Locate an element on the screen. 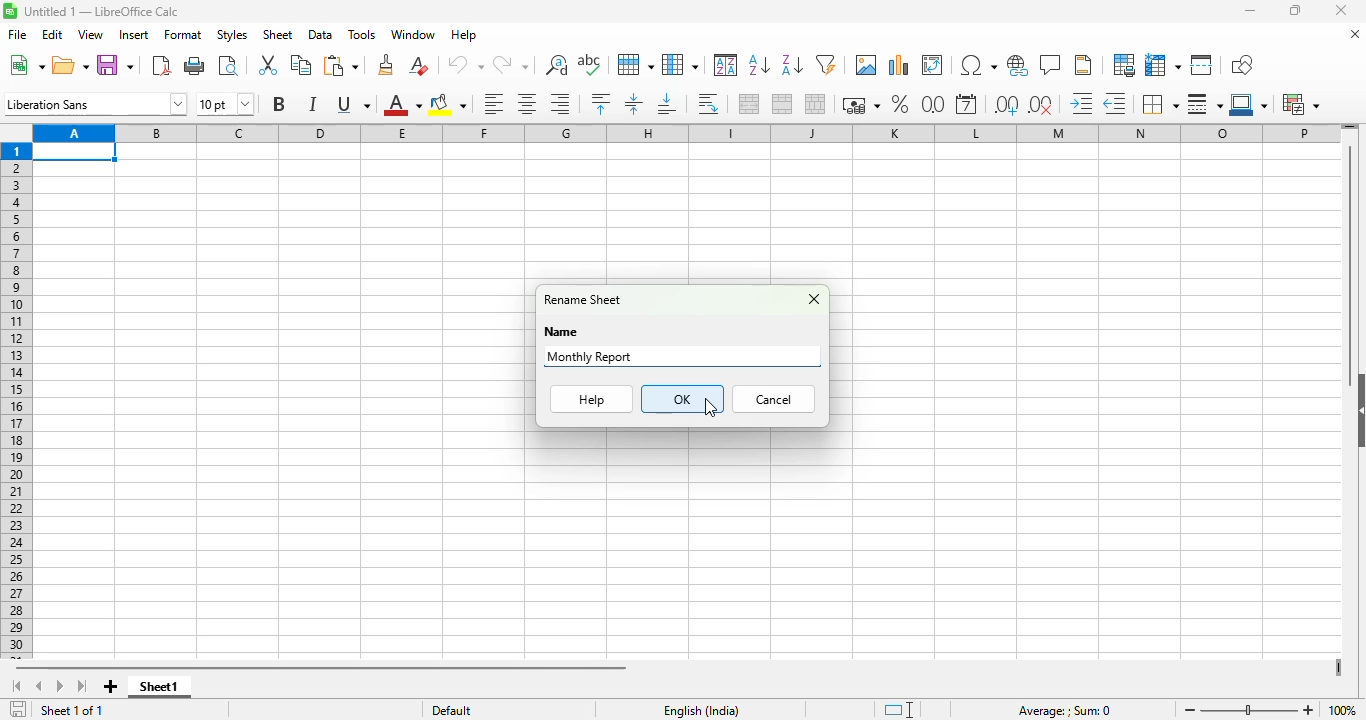 The width and height of the screenshot is (1366, 720). font name is located at coordinates (95, 103).